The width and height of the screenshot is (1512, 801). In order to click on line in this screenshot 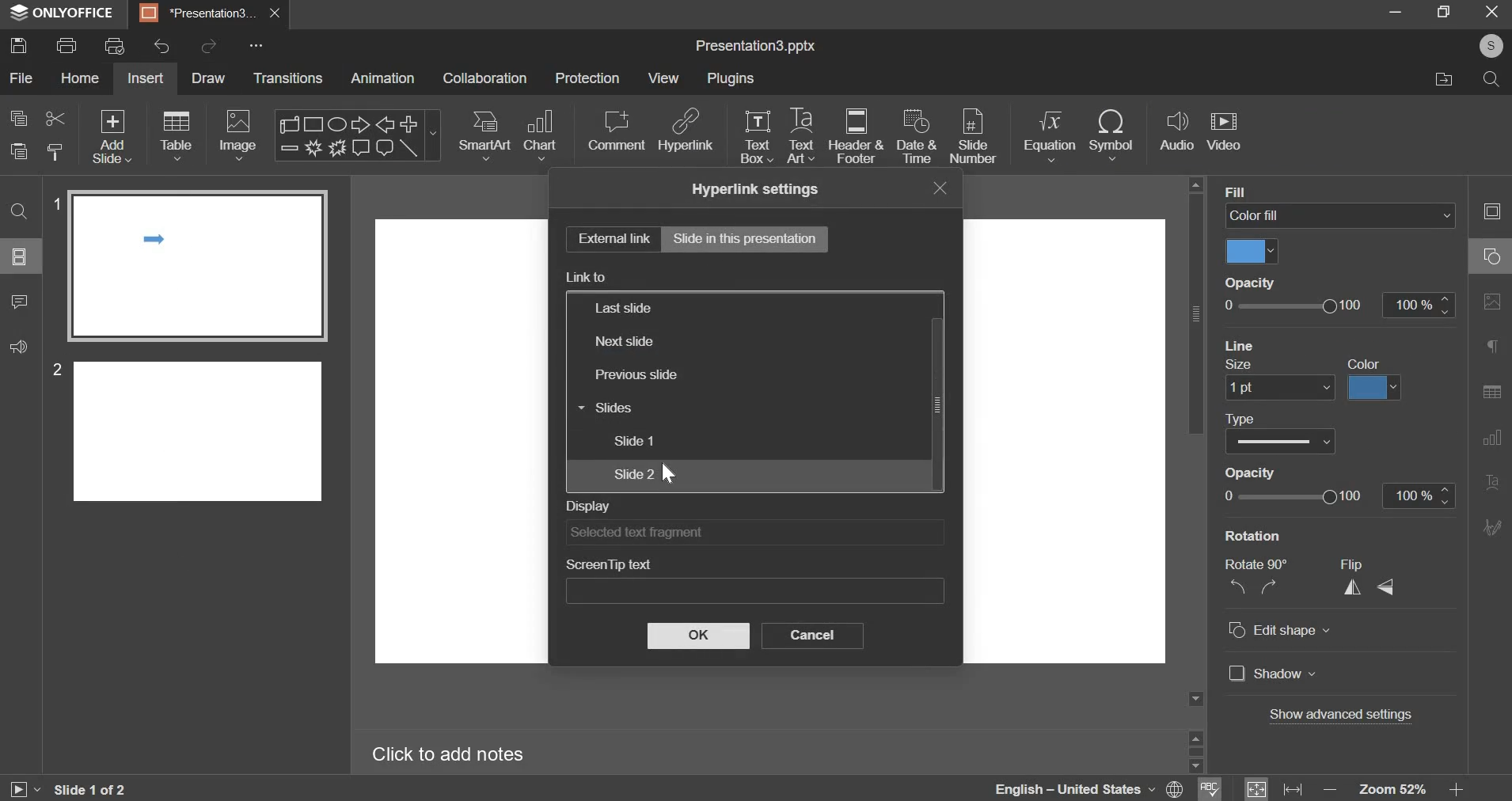, I will do `click(1240, 344)`.